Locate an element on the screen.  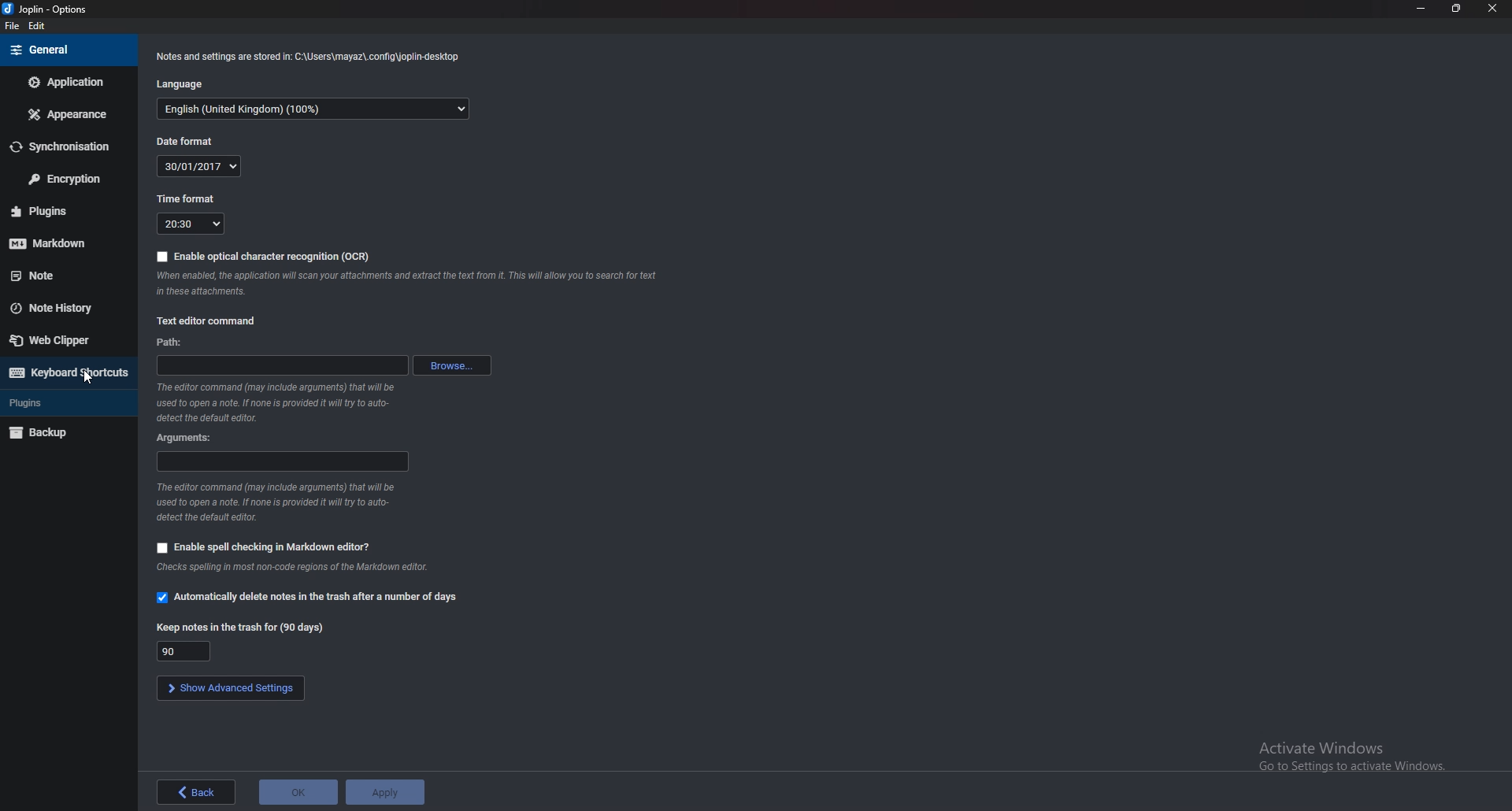
info is located at coordinates (280, 402).